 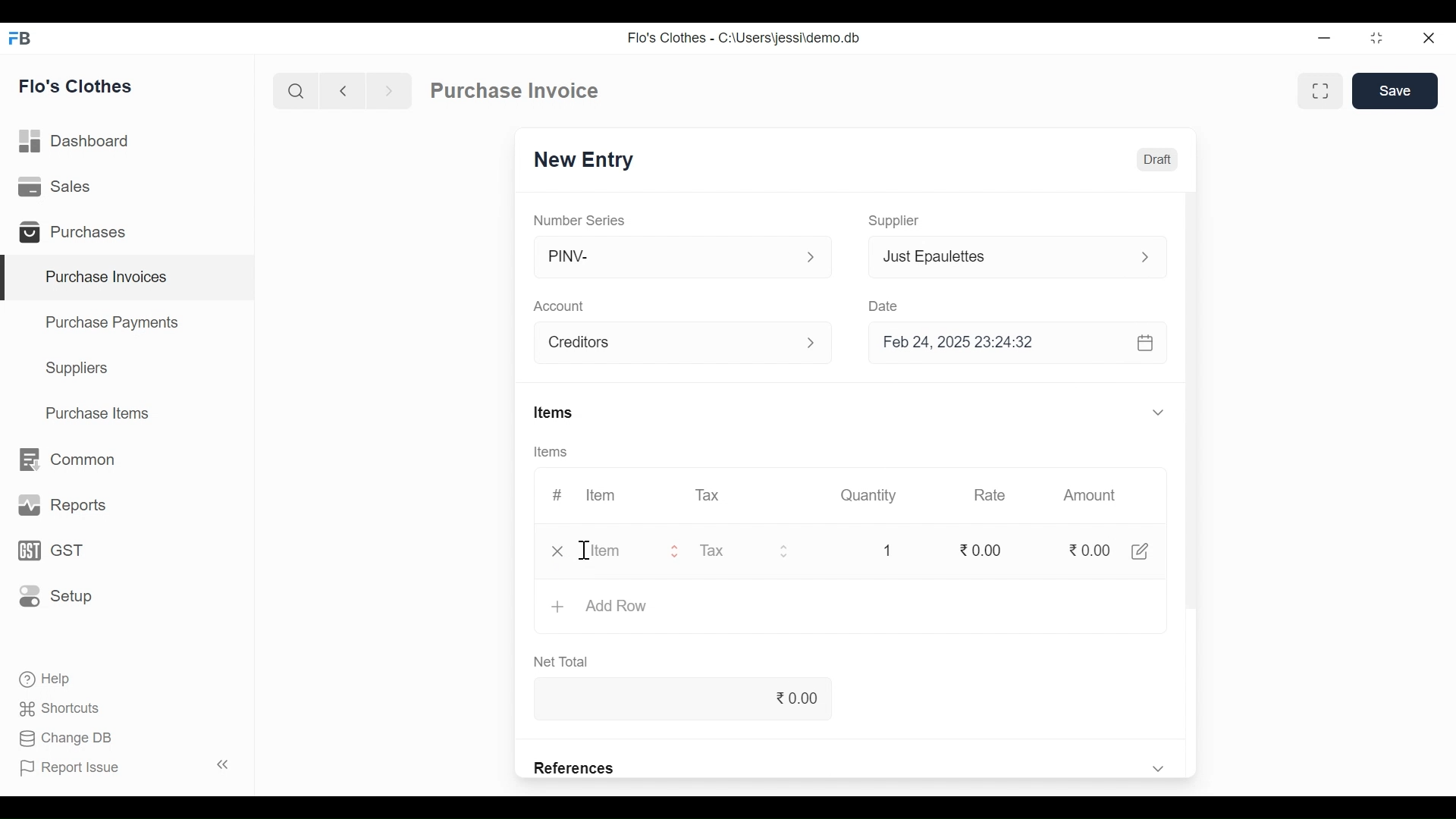 What do you see at coordinates (999, 256) in the screenshot?
I see `Just Epaulettes` at bounding box center [999, 256].